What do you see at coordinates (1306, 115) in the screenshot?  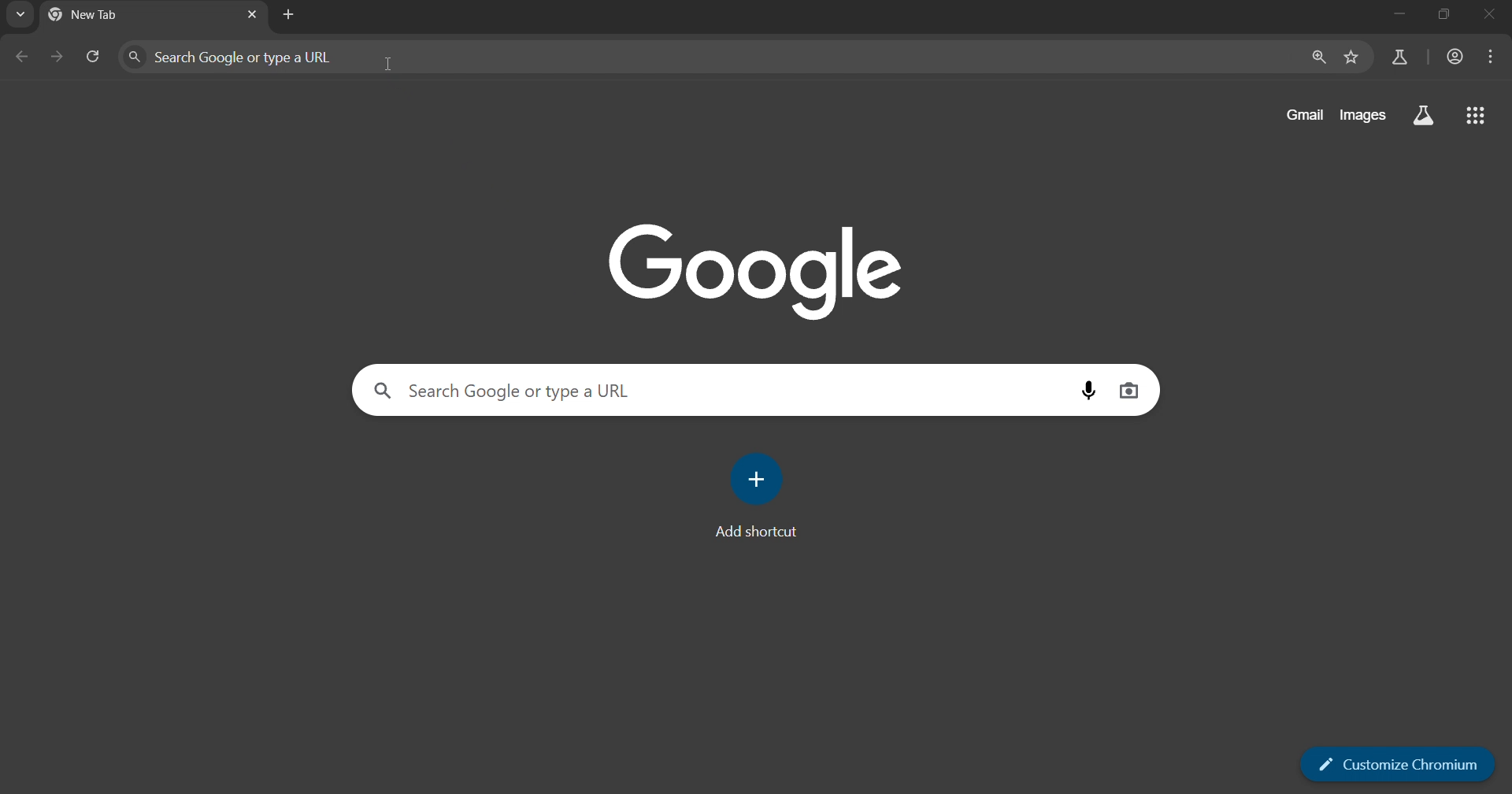 I see `gmail` at bounding box center [1306, 115].